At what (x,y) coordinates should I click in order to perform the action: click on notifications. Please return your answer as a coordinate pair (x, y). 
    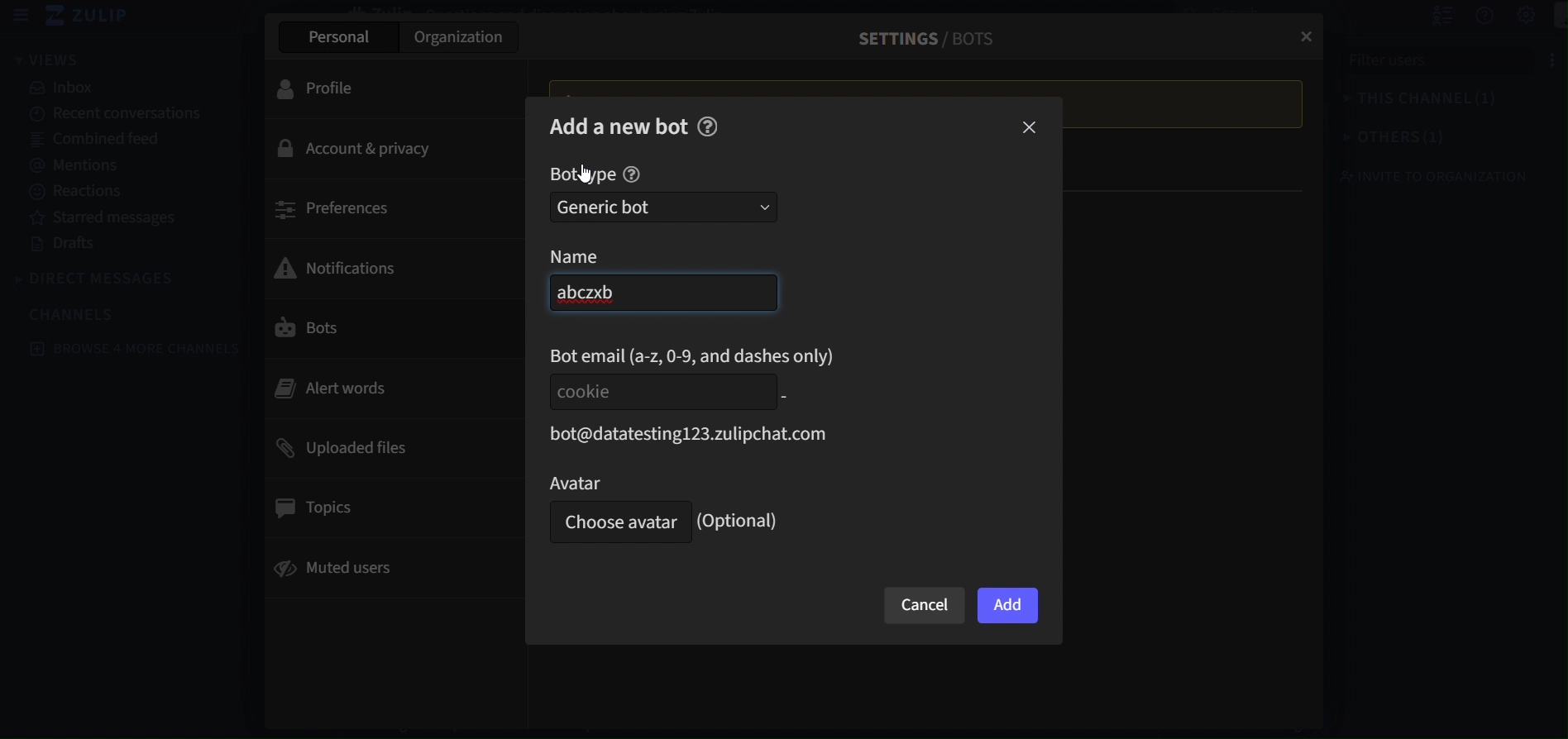
    Looking at the image, I should click on (385, 266).